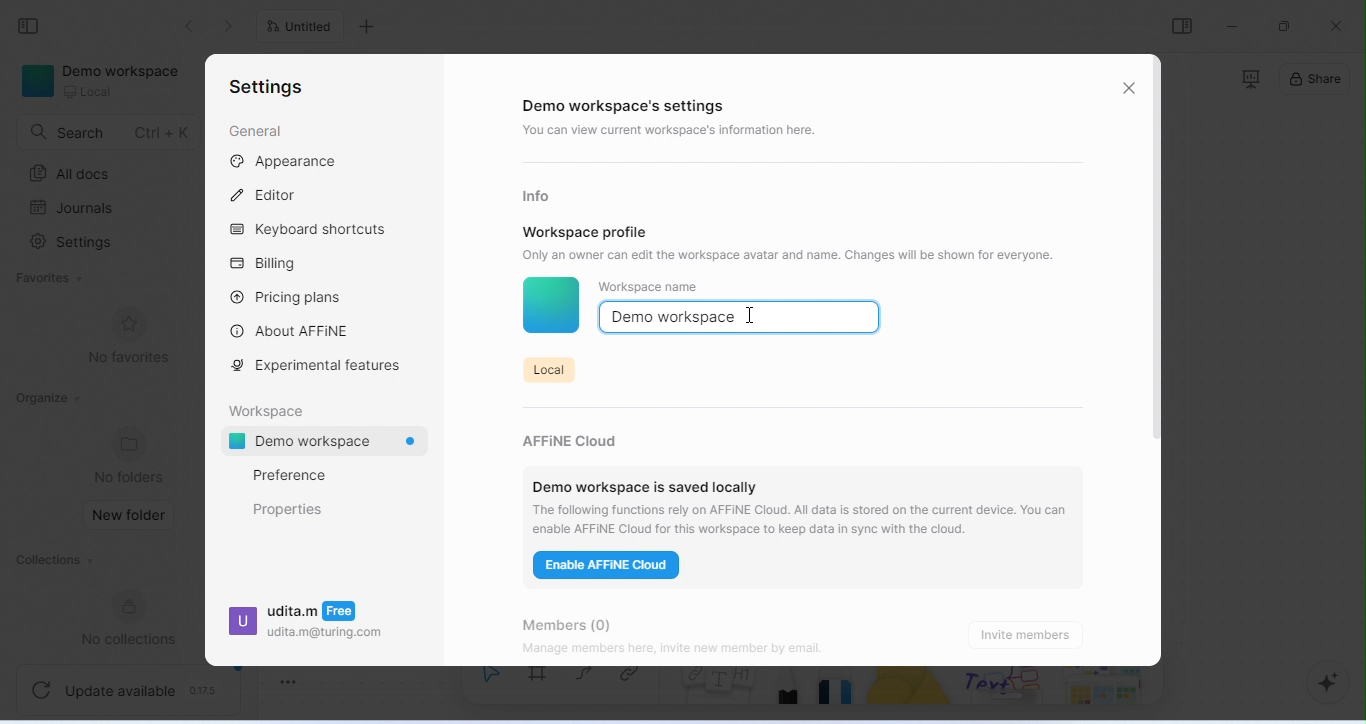  Describe the element at coordinates (293, 330) in the screenshot. I see `about affine` at that location.